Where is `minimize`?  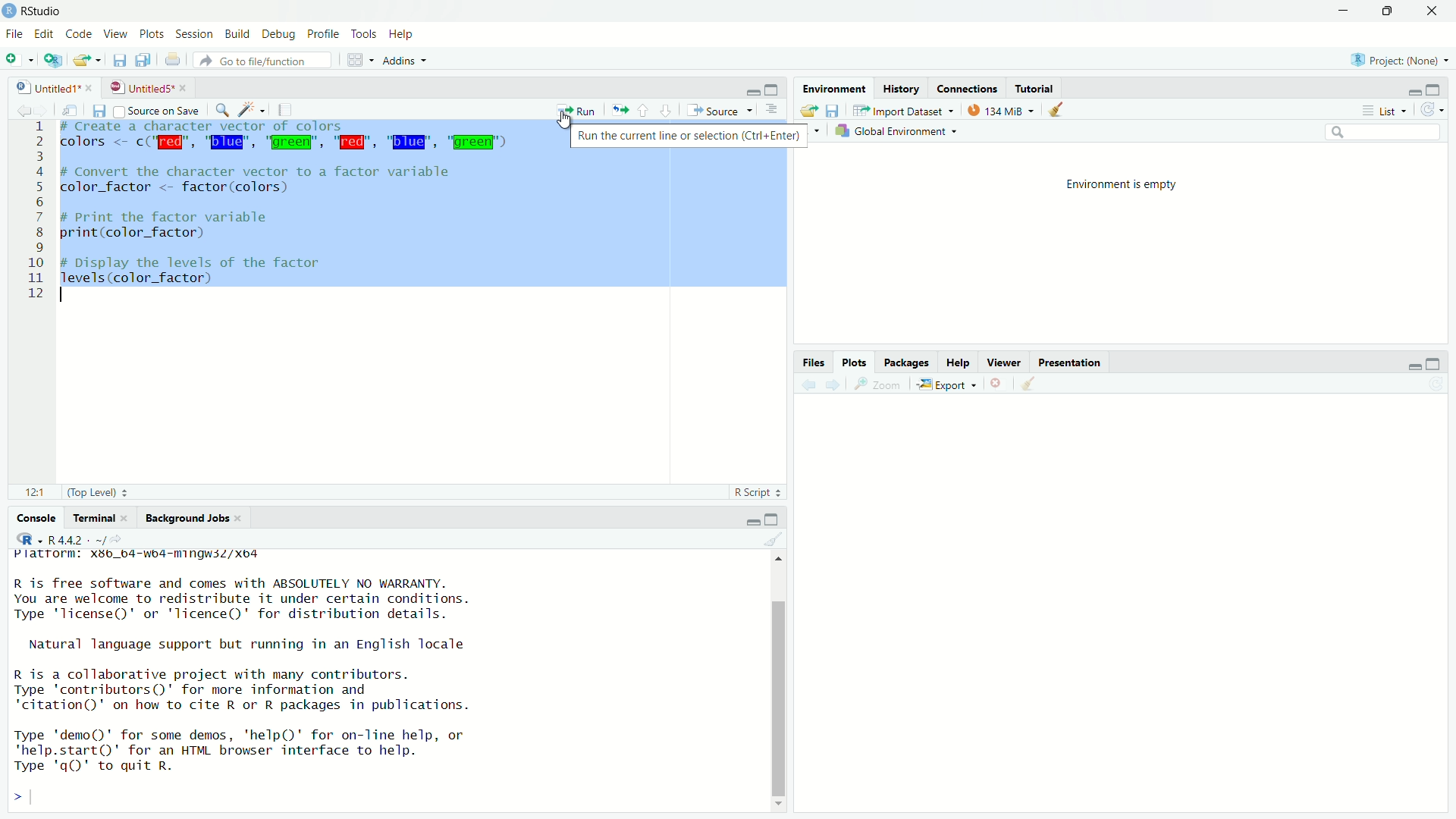 minimize is located at coordinates (745, 519).